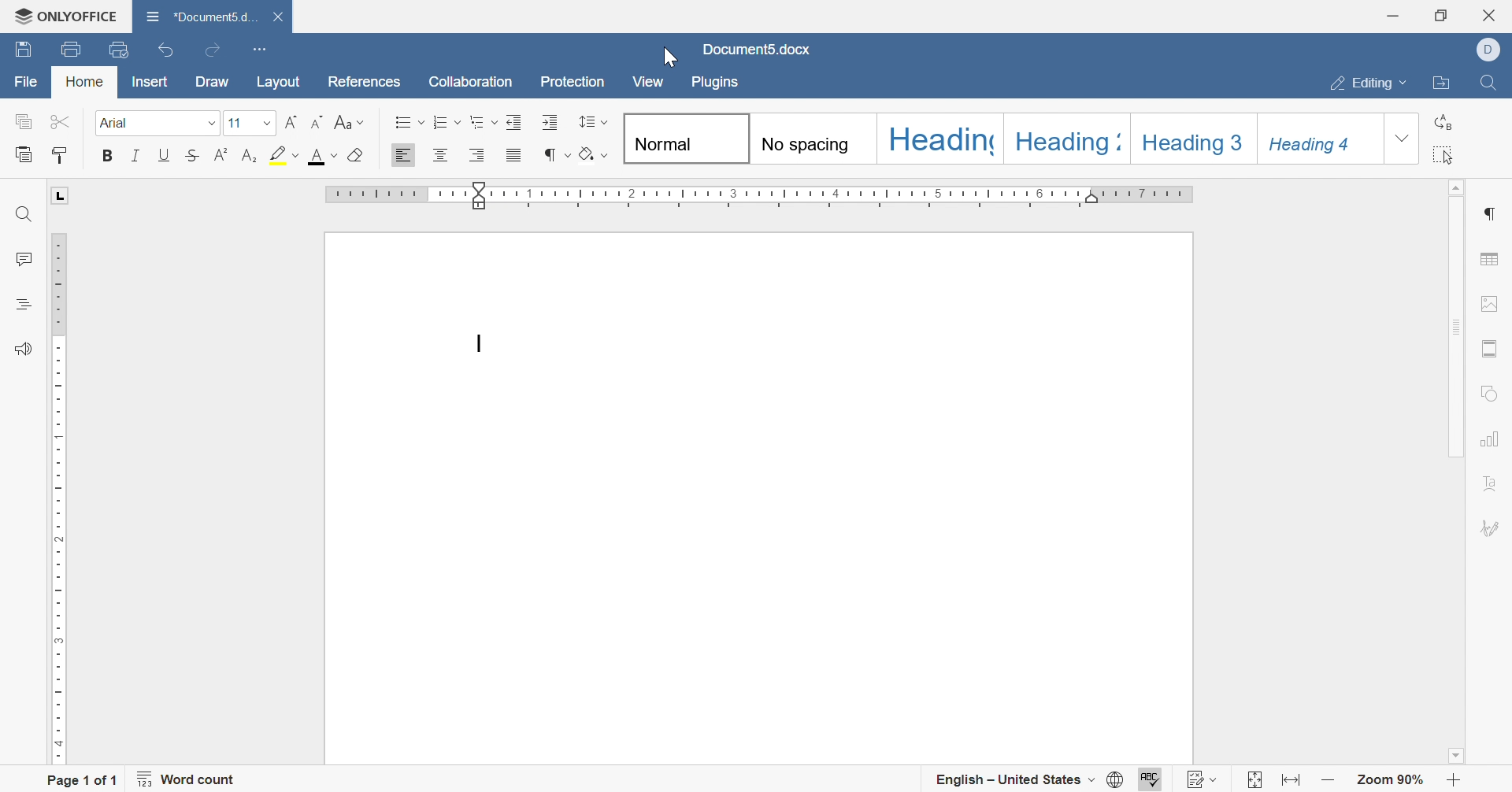 This screenshot has width=1512, height=792. I want to click on shading, so click(596, 157).